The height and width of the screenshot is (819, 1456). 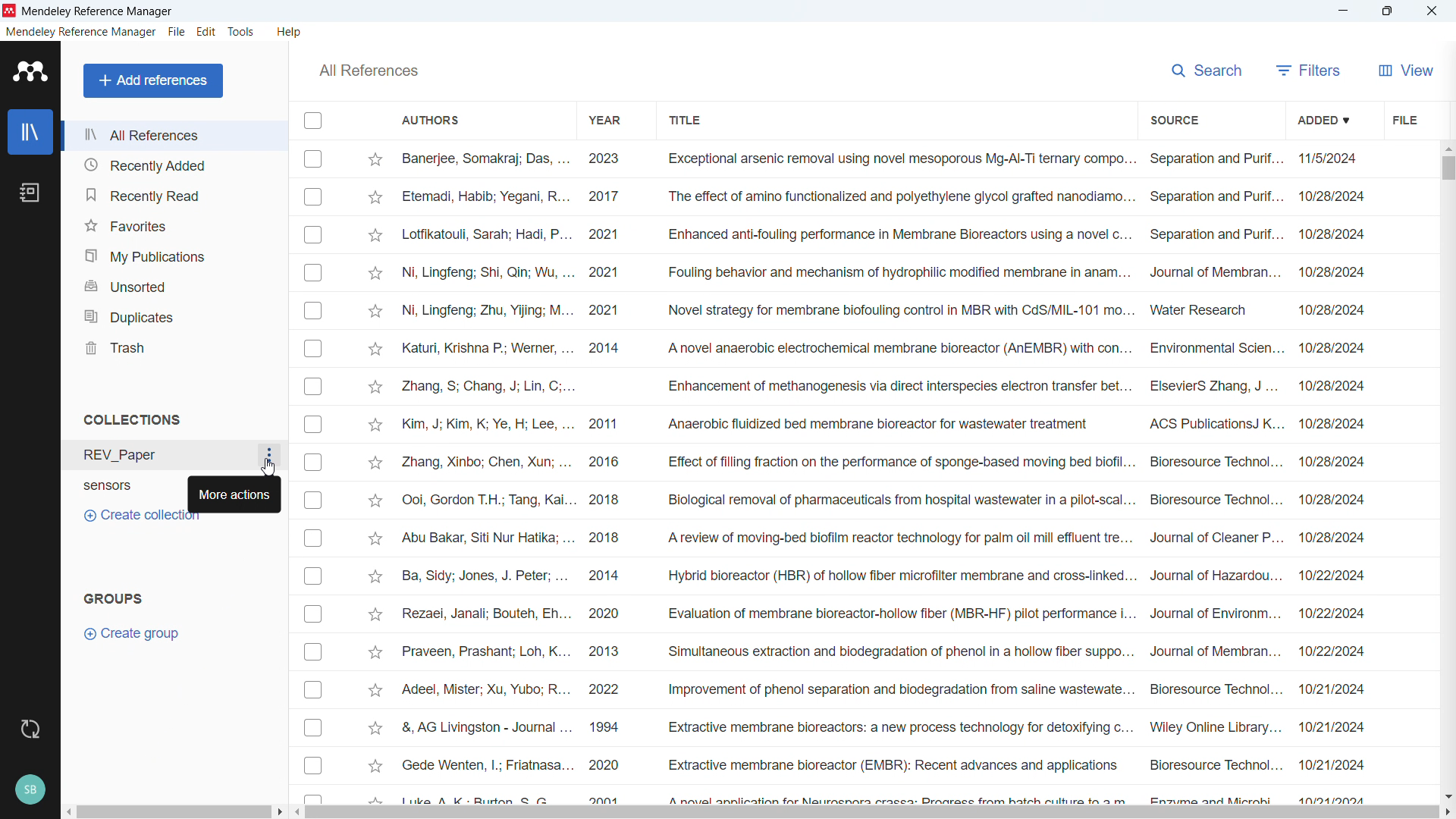 I want to click on Gede Wenten, |; Friatnasa... 2020 Extractive membrane bioreactor (EMBR): Recent advances and applications Bioresource Technol... 10/21/2024, so click(x=883, y=764).